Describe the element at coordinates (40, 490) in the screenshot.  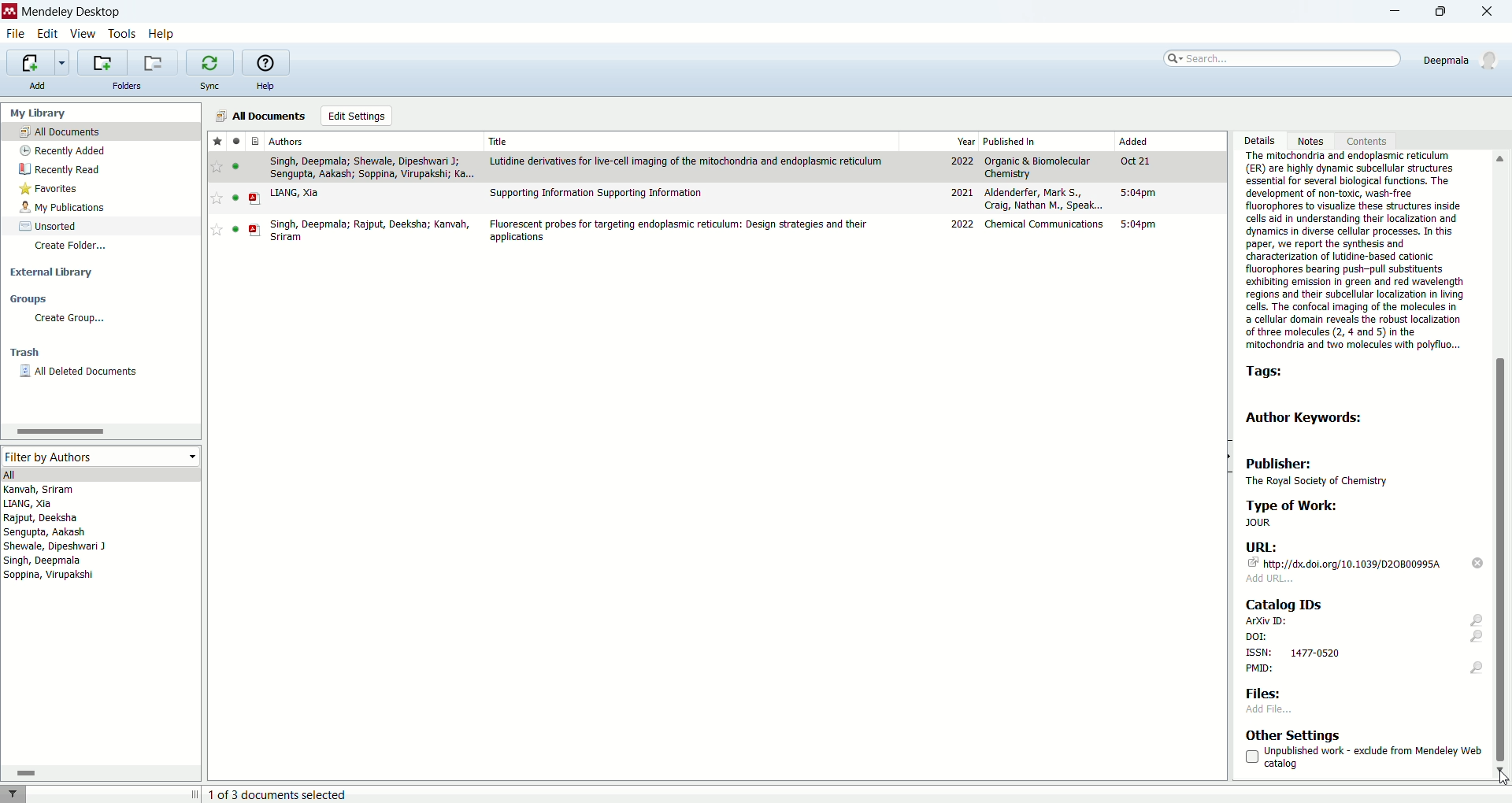
I see `kanvah, sriram` at that location.